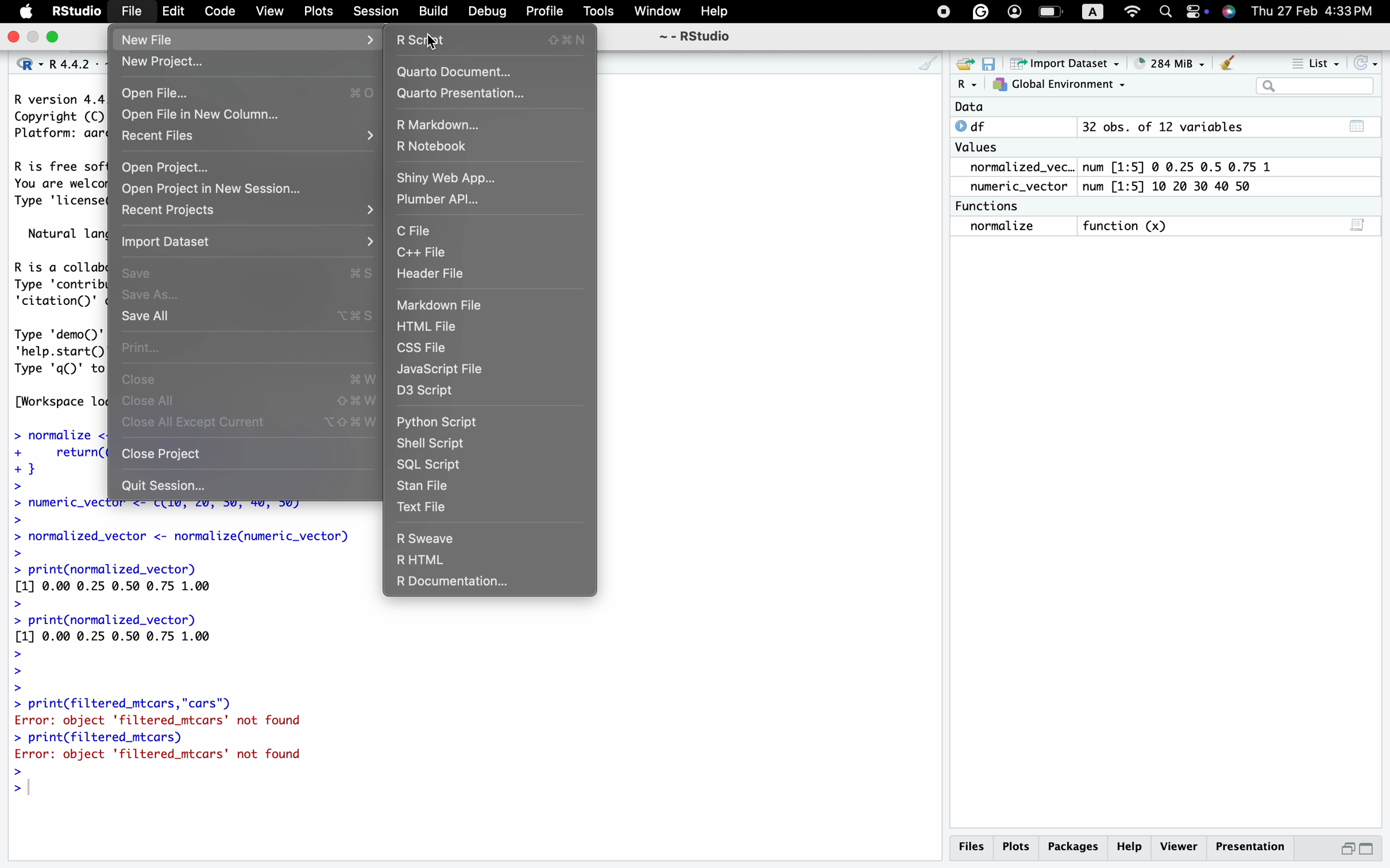  I want to click on R HTML, so click(422, 560).